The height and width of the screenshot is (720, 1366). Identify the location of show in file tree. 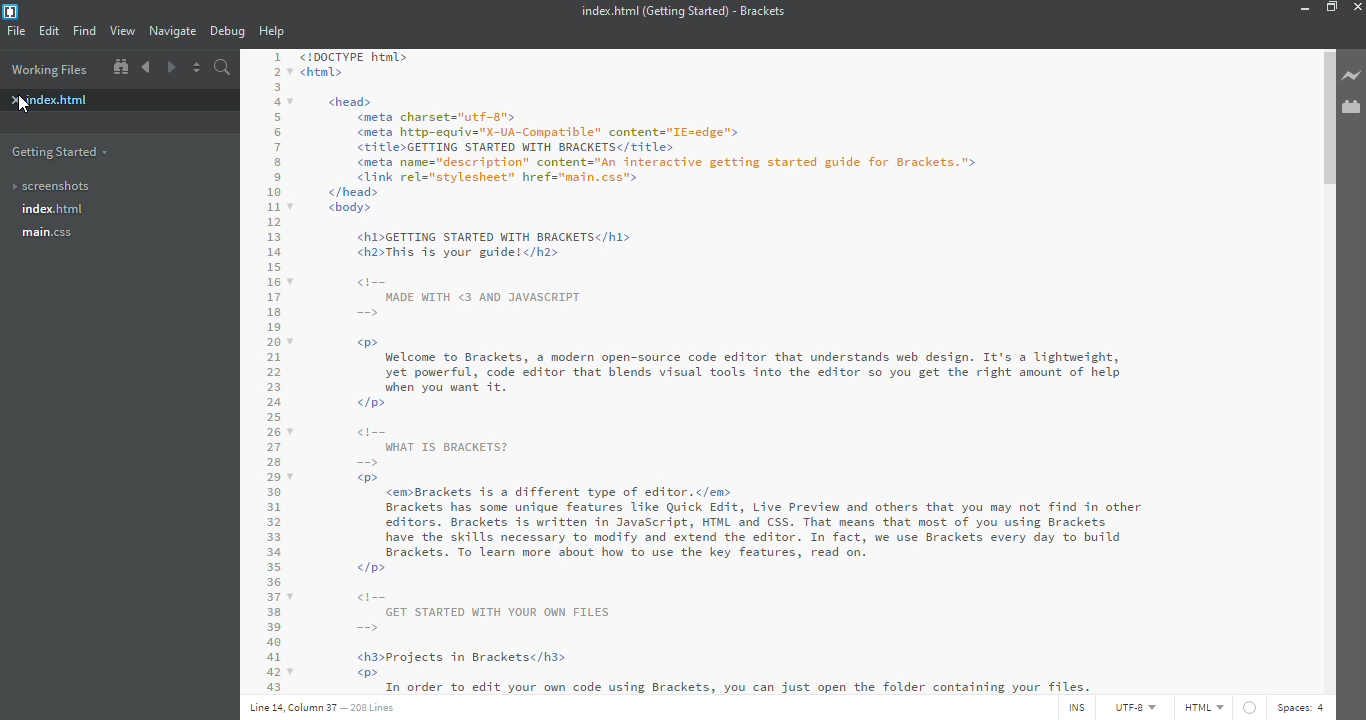
(122, 67).